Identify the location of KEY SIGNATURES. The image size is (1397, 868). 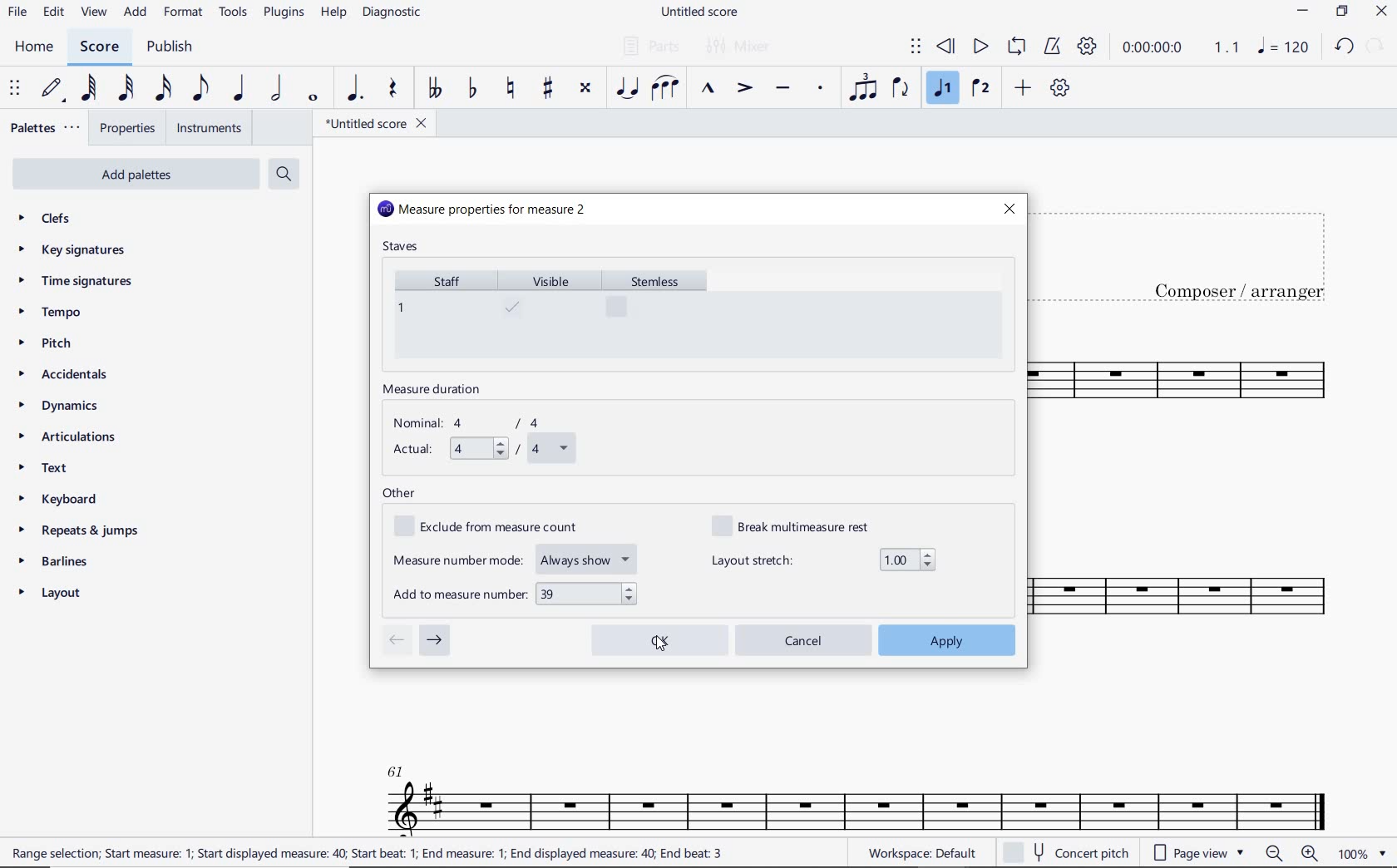
(77, 249).